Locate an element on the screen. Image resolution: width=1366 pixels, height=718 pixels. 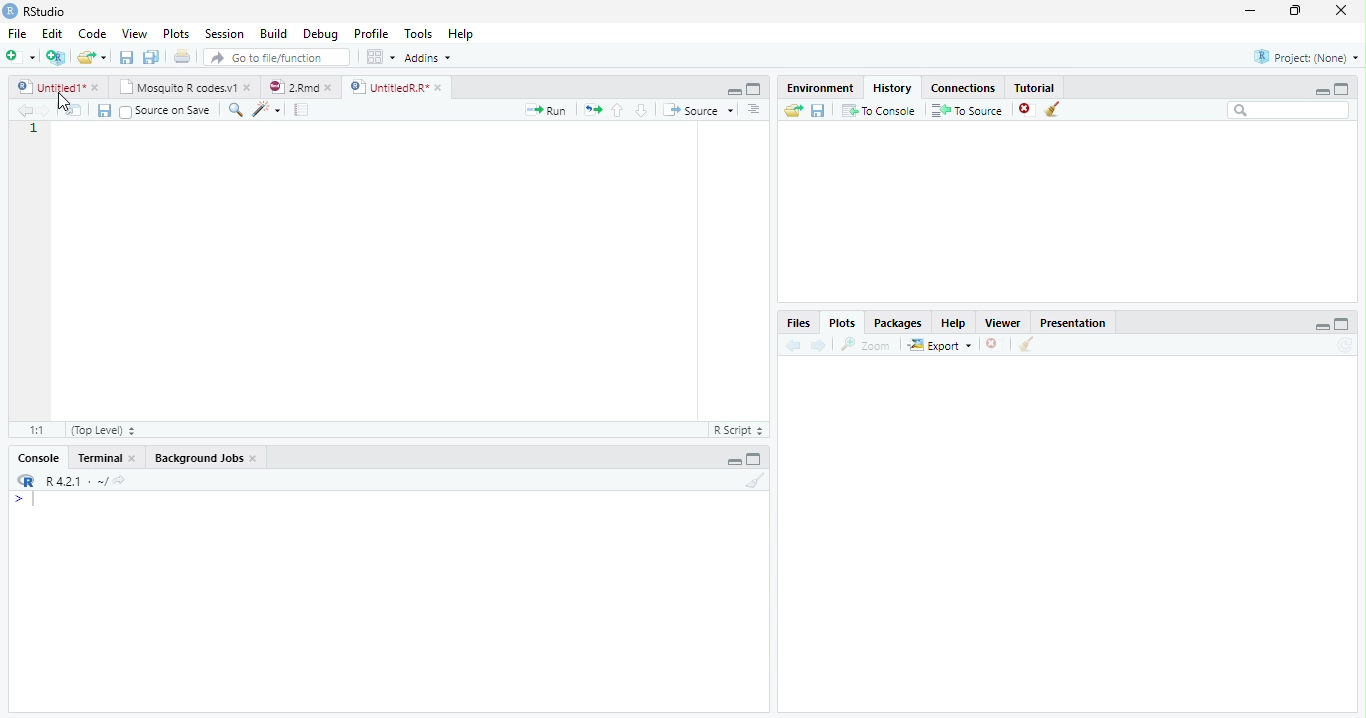
close is located at coordinates (438, 88).